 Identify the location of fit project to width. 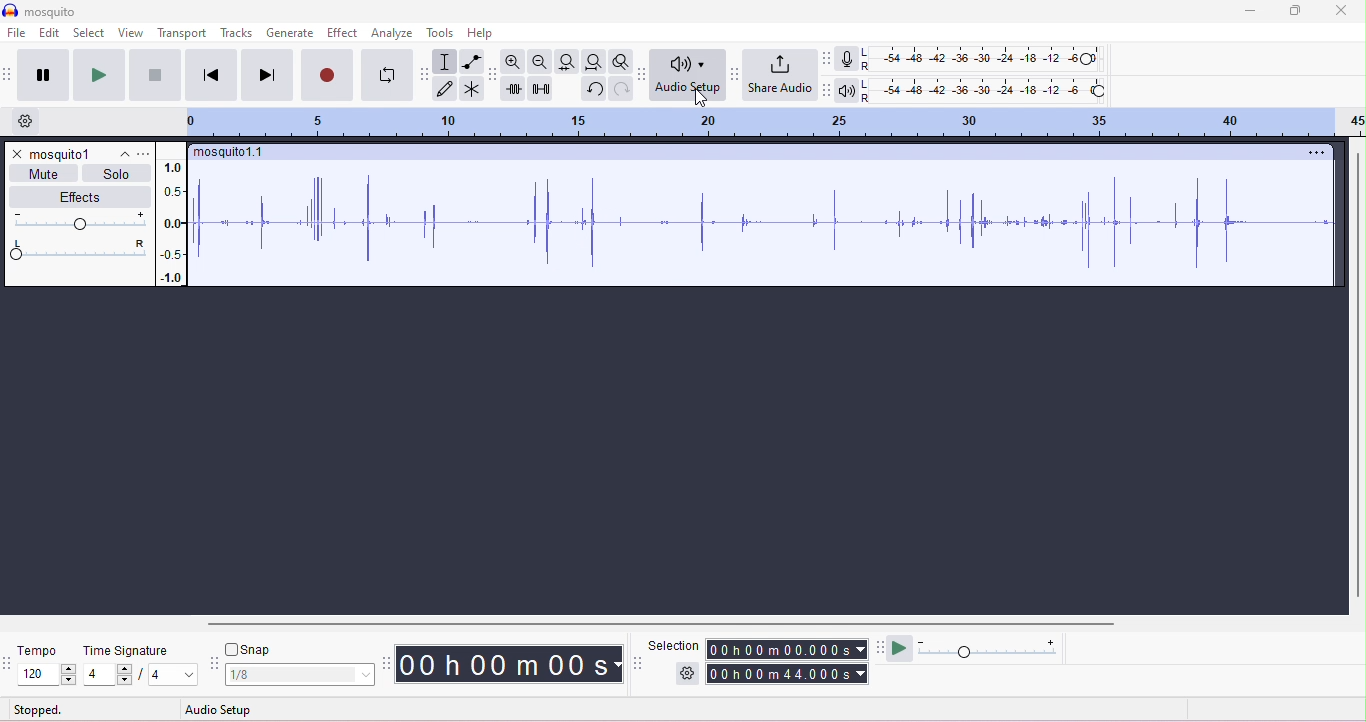
(593, 62).